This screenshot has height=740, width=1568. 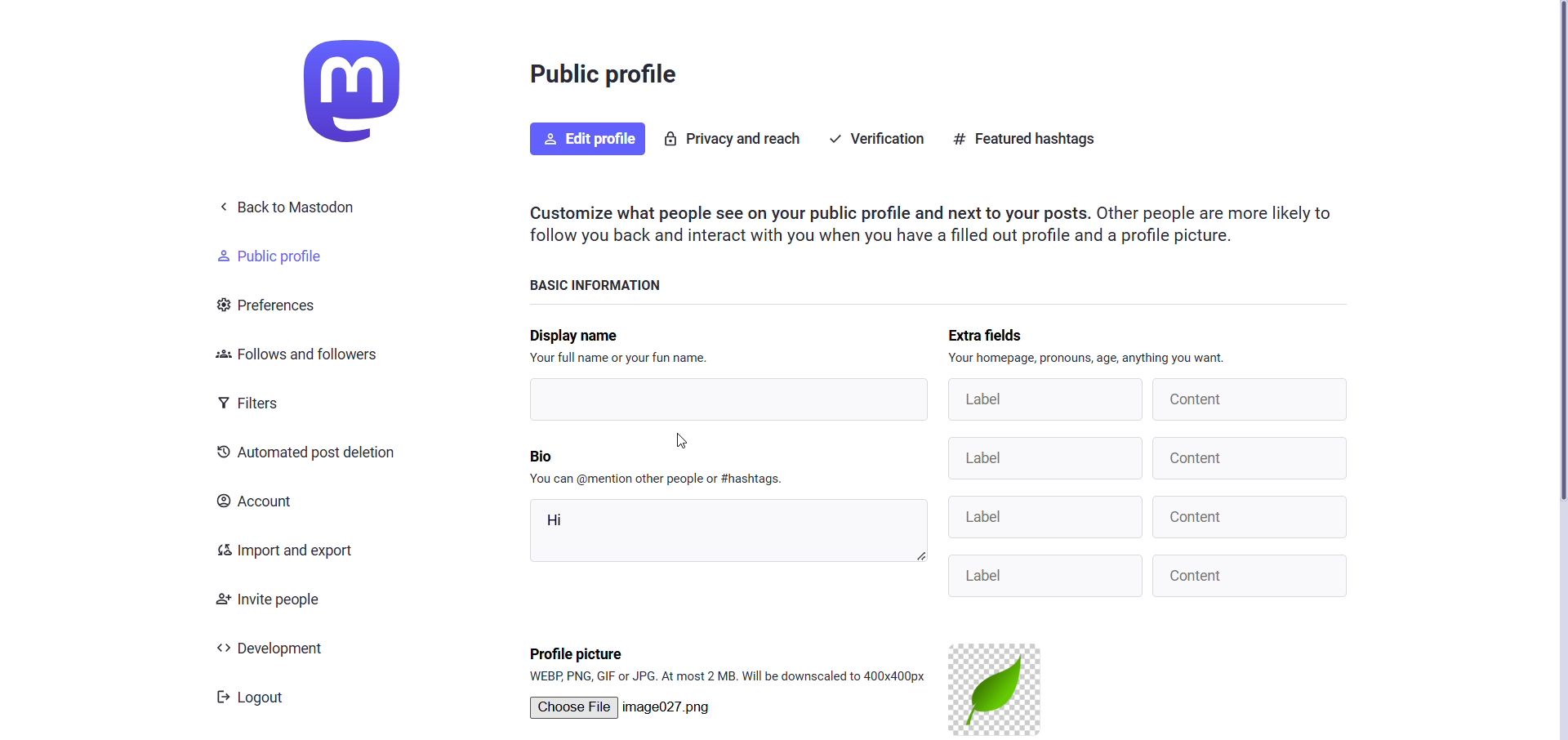 What do you see at coordinates (1043, 458) in the screenshot?
I see `Label` at bounding box center [1043, 458].